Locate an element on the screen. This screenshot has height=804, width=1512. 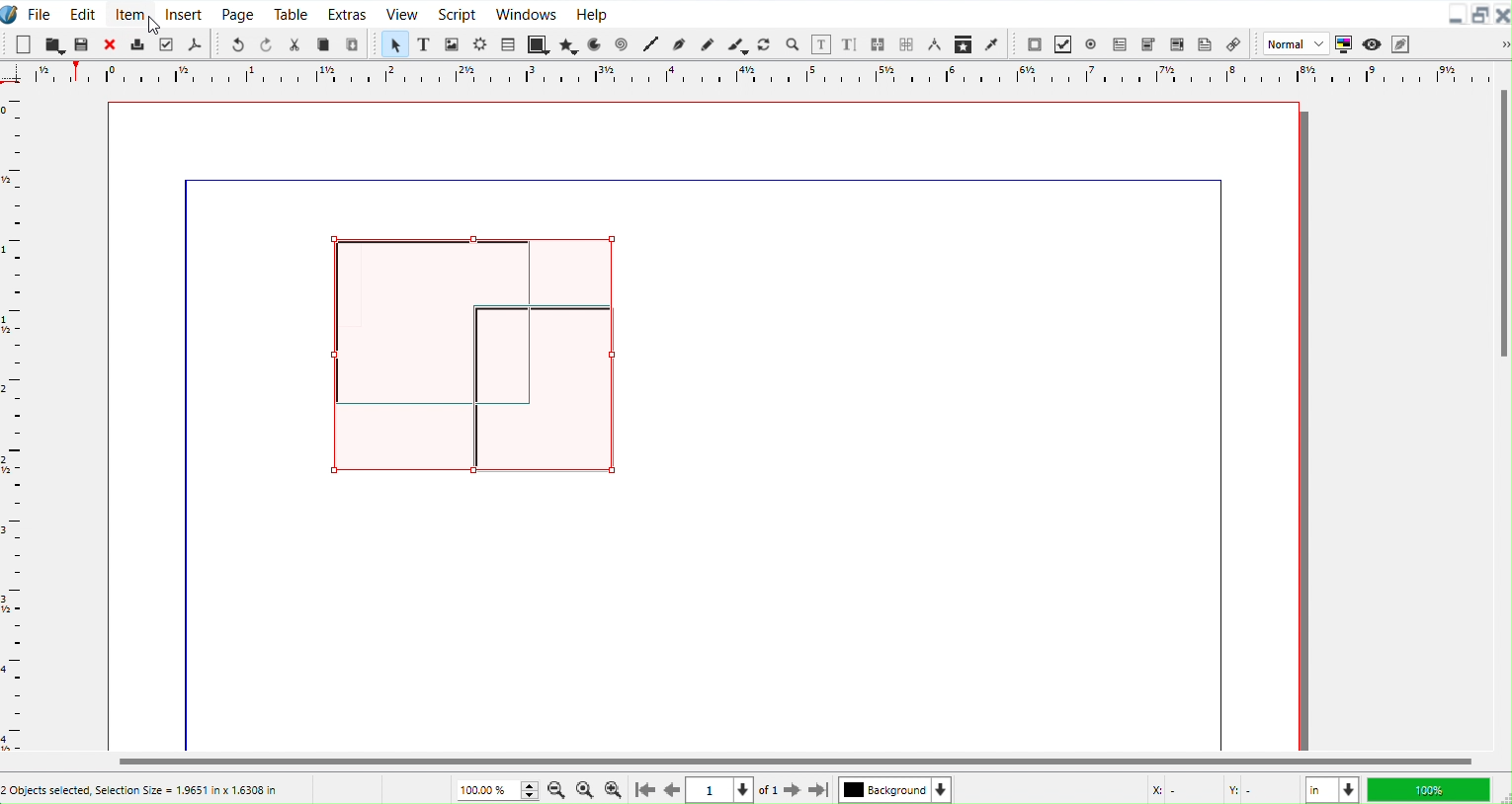
Vertical Scale is located at coordinates (743, 76).